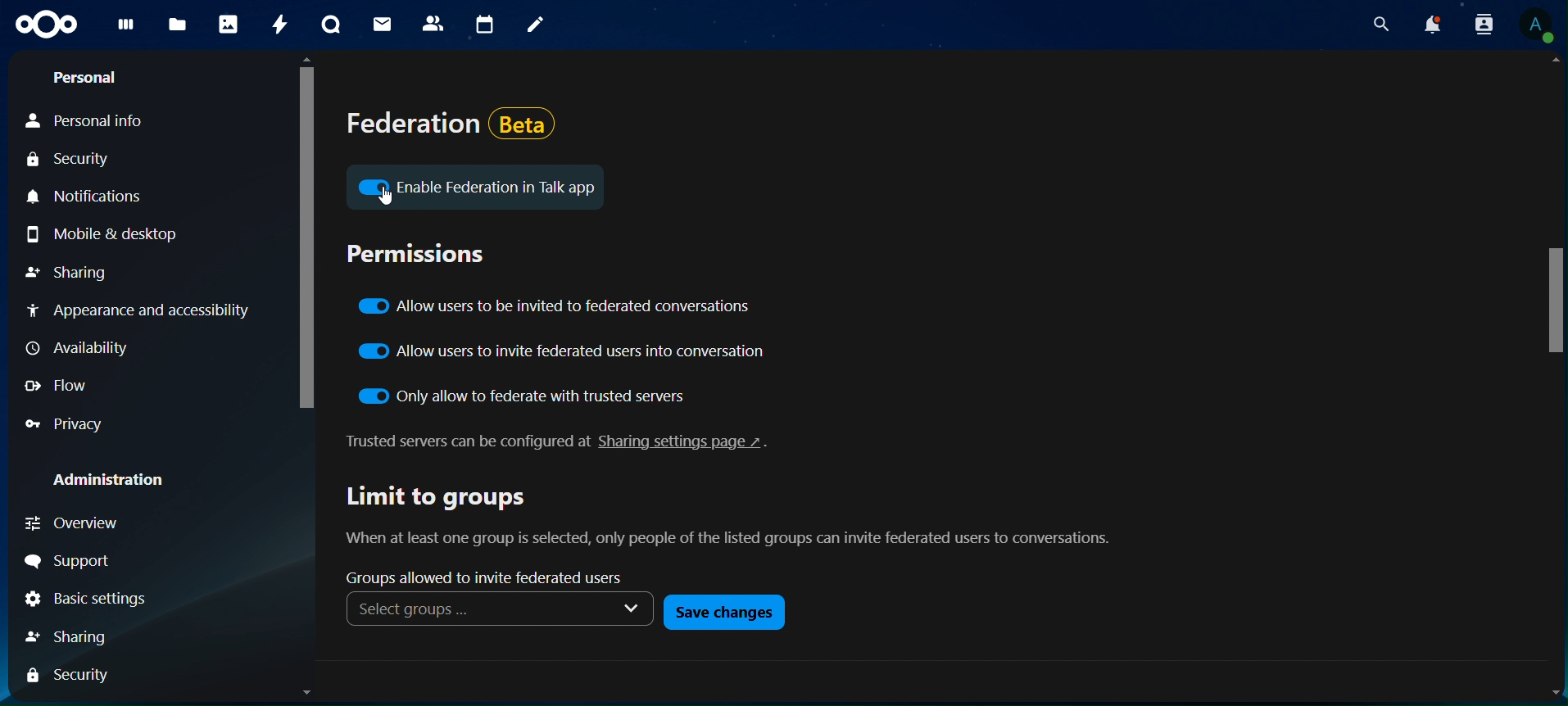 The width and height of the screenshot is (1568, 706). I want to click on federation, so click(456, 122).